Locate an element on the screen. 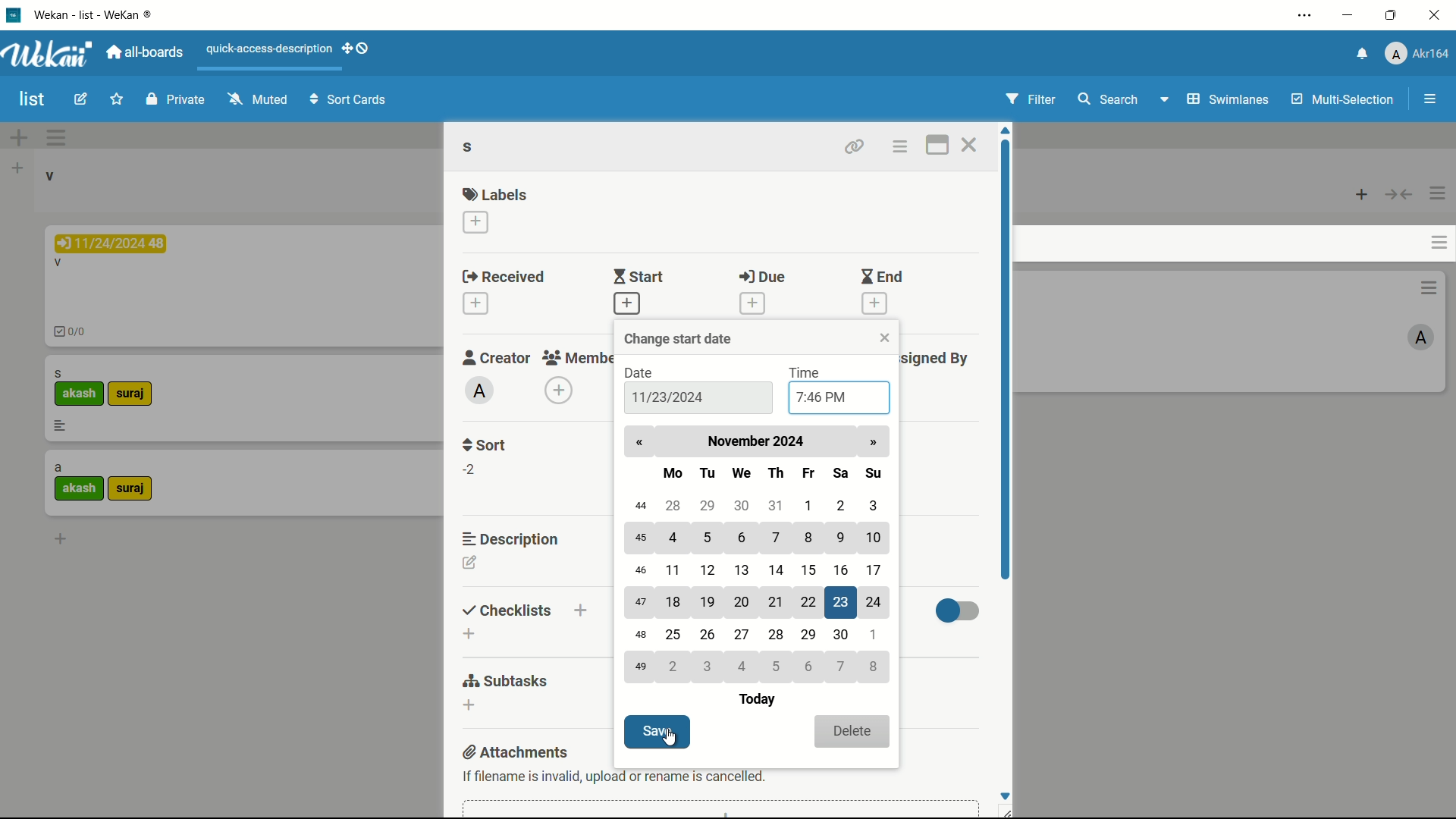  next is located at coordinates (875, 443).